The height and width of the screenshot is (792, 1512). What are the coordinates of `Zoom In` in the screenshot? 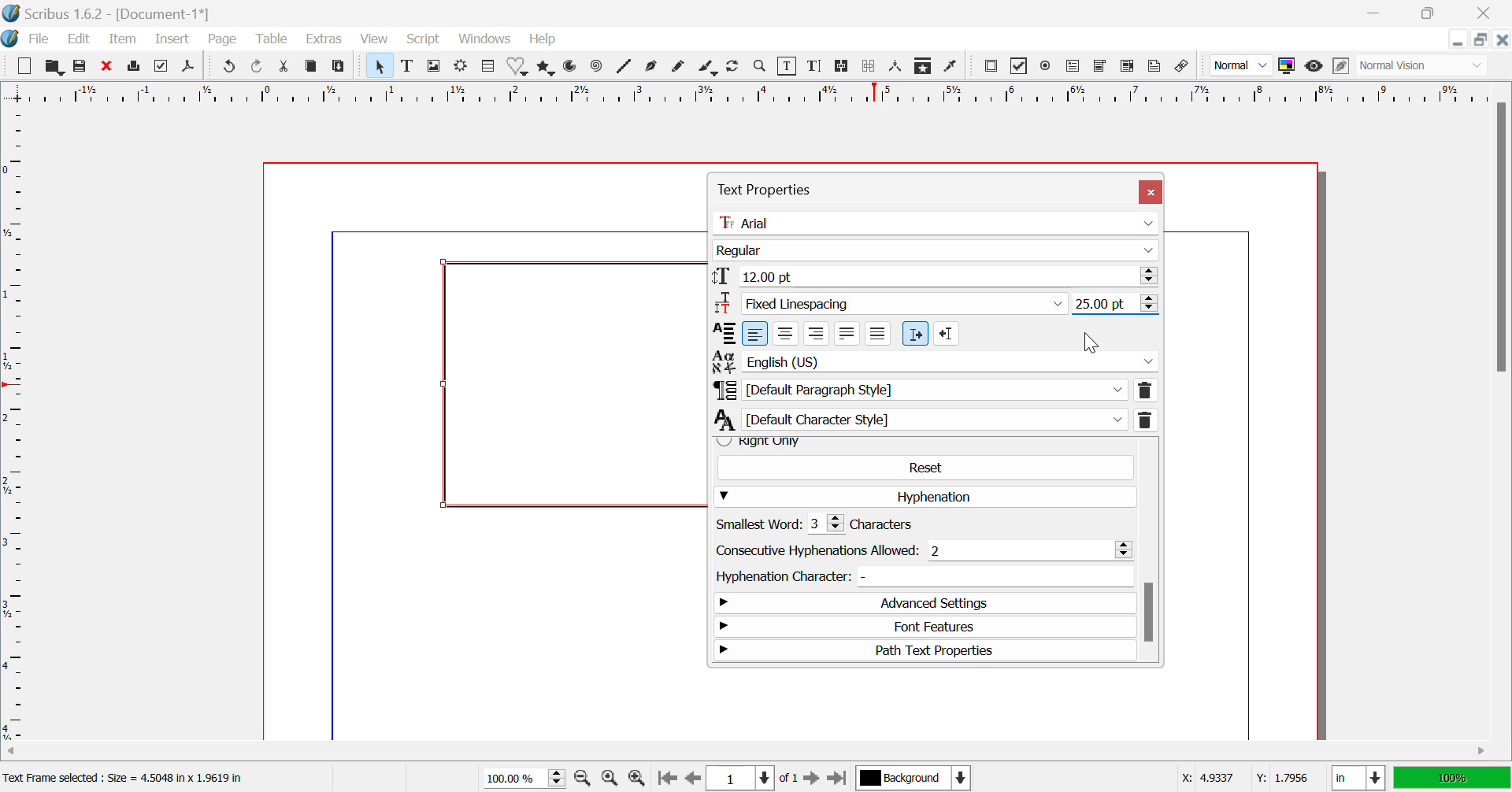 It's located at (636, 779).